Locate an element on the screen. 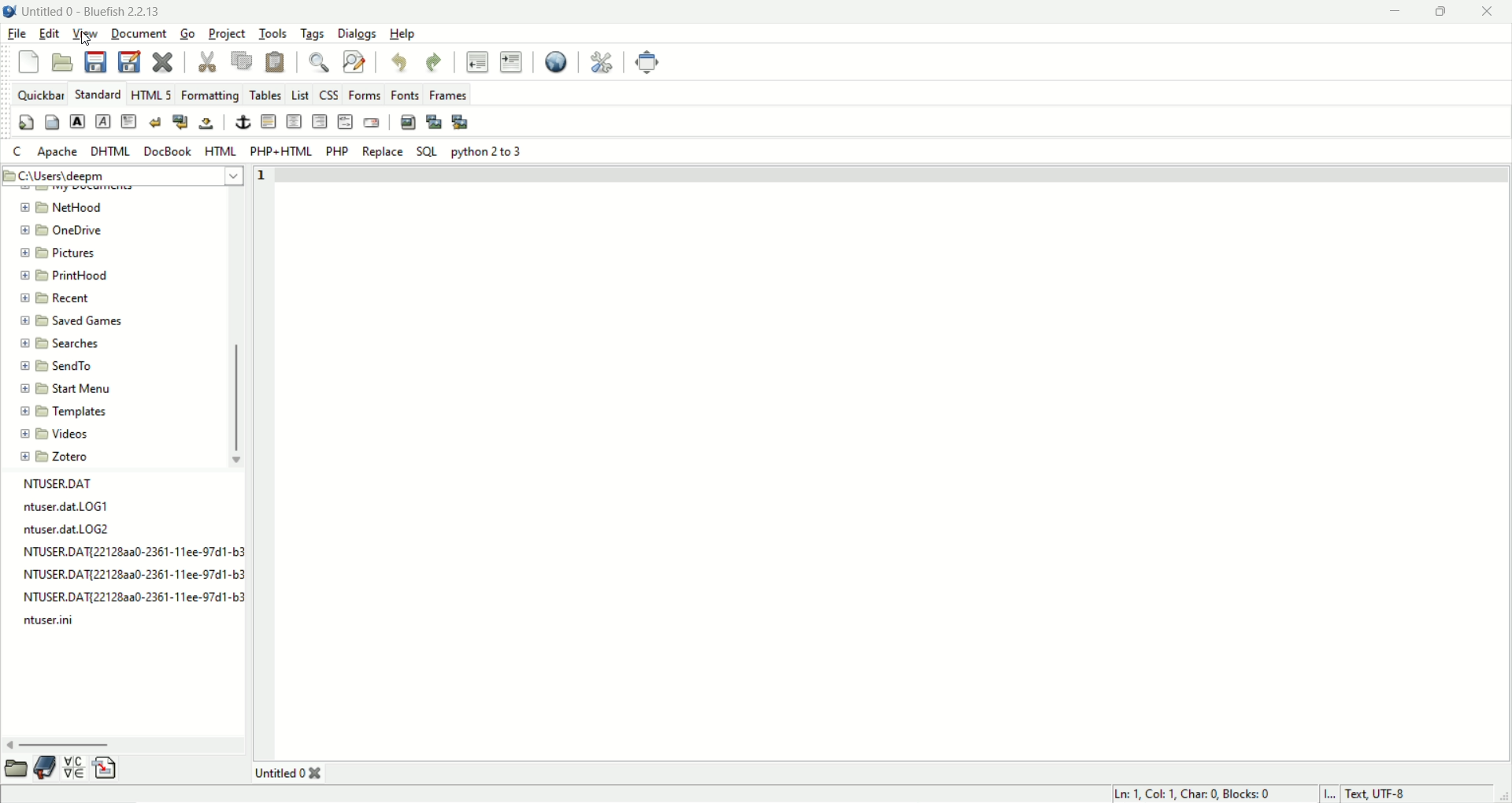  SQL is located at coordinates (428, 150).